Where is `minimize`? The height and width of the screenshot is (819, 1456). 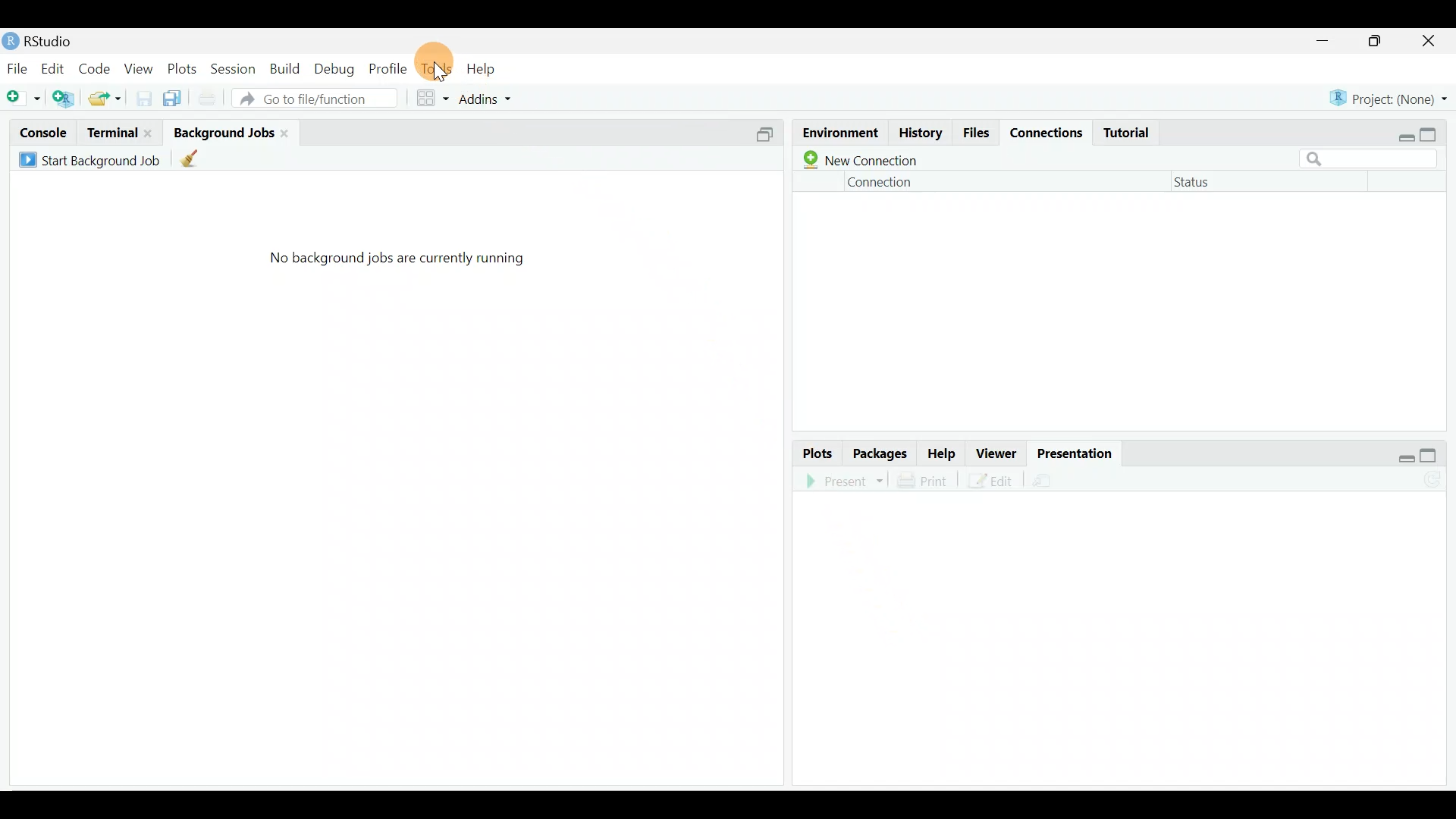 minimize is located at coordinates (1330, 42).